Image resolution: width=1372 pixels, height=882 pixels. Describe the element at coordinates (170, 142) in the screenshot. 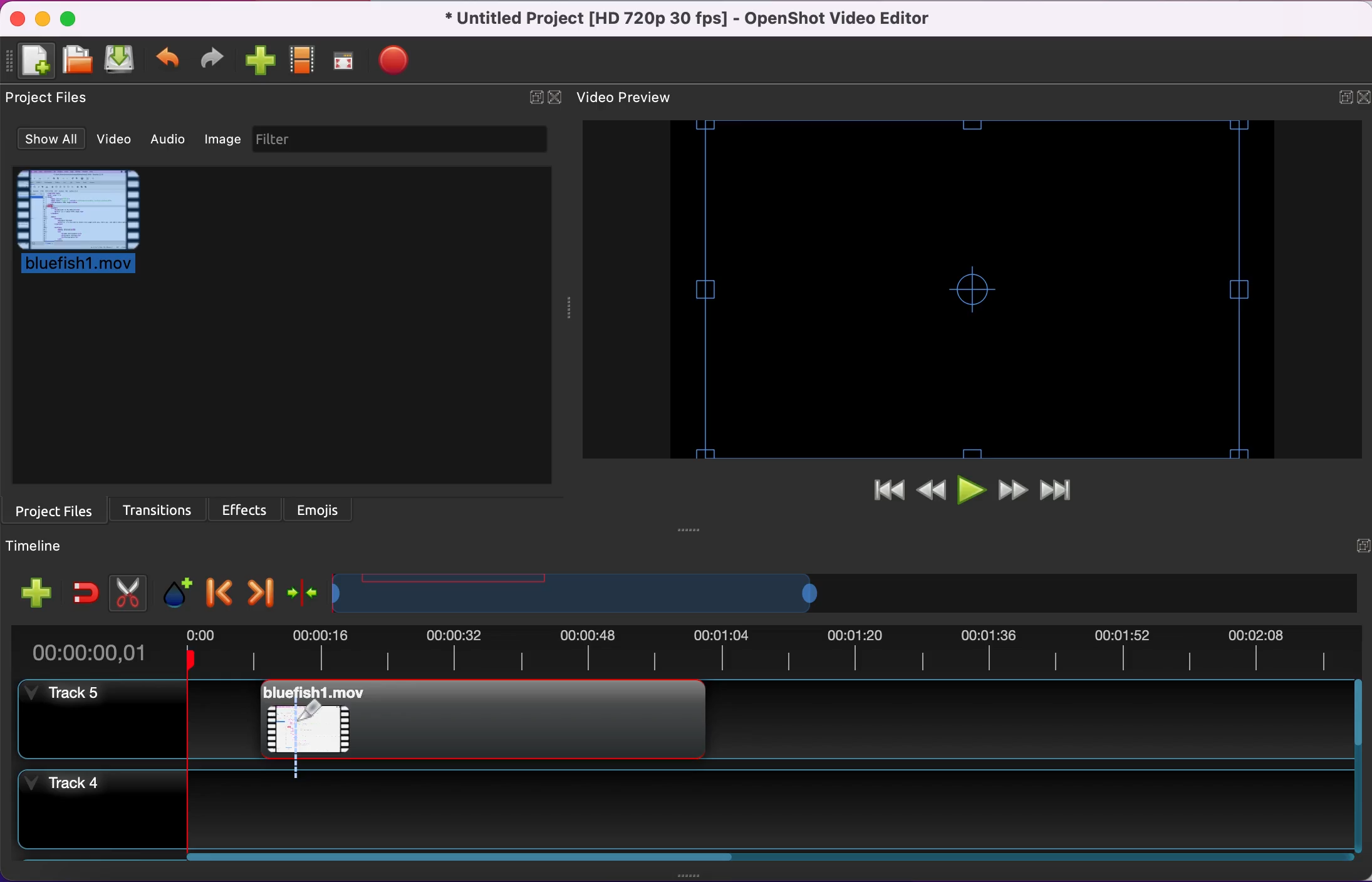

I see `audio` at that location.